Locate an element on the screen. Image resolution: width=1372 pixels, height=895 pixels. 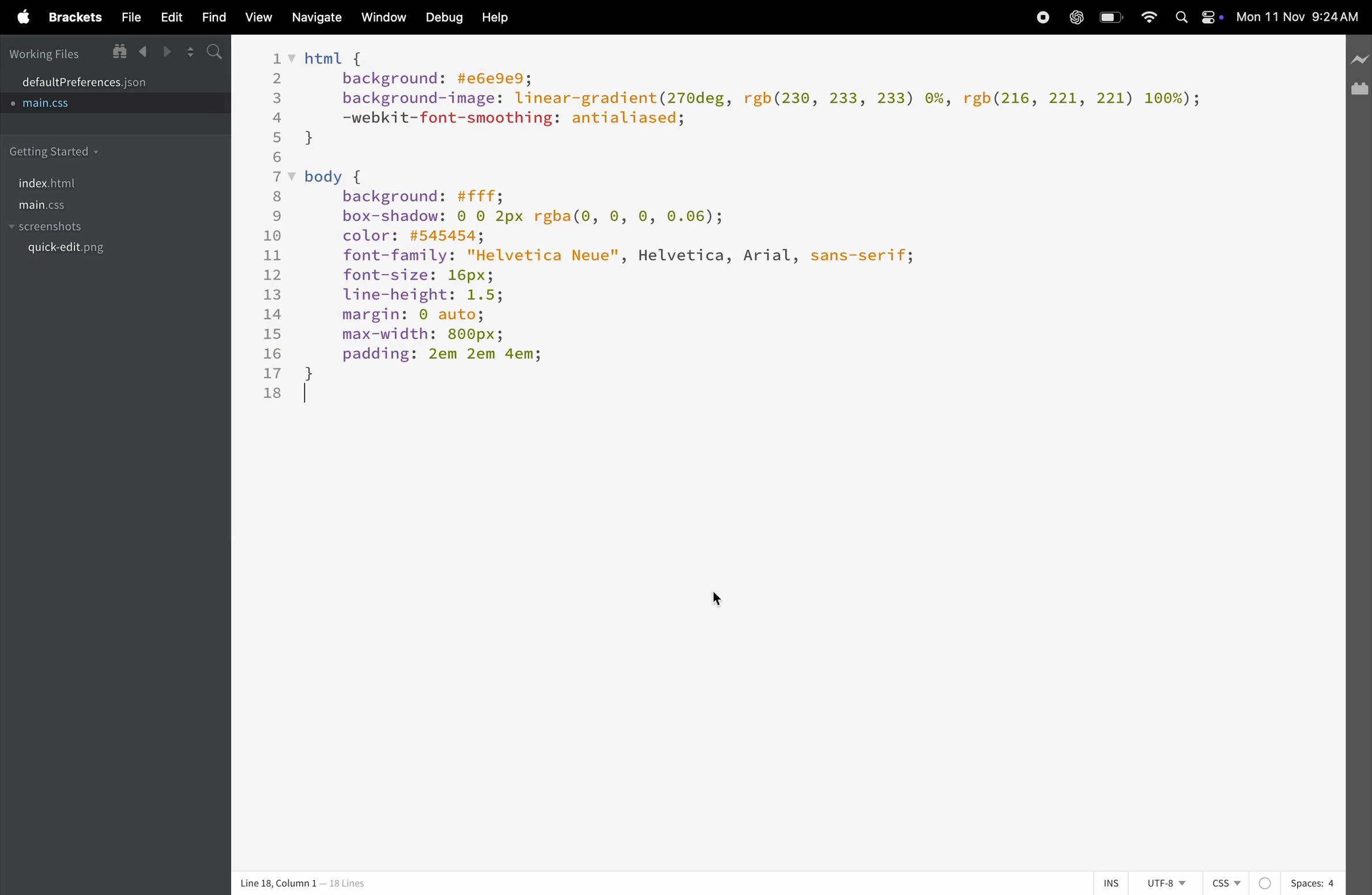
edit is located at coordinates (167, 16).